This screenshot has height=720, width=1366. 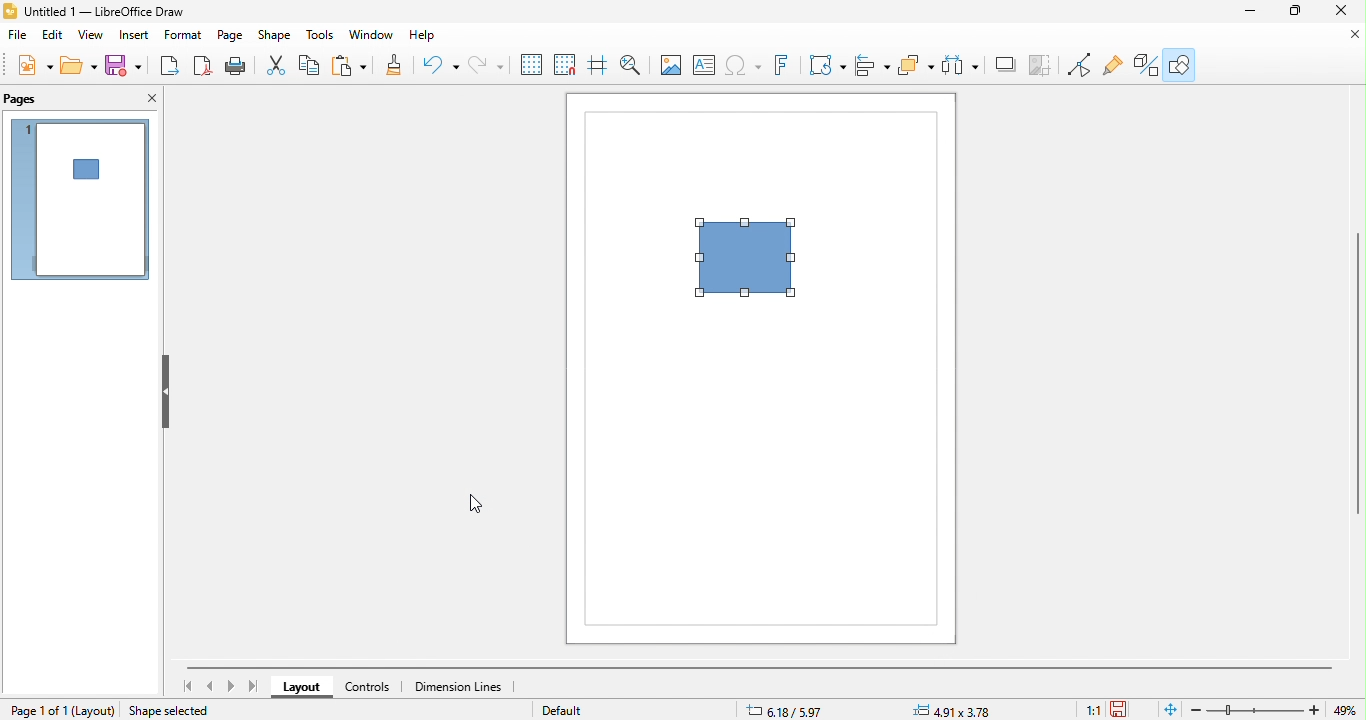 I want to click on cursor, so click(x=474, y=503).